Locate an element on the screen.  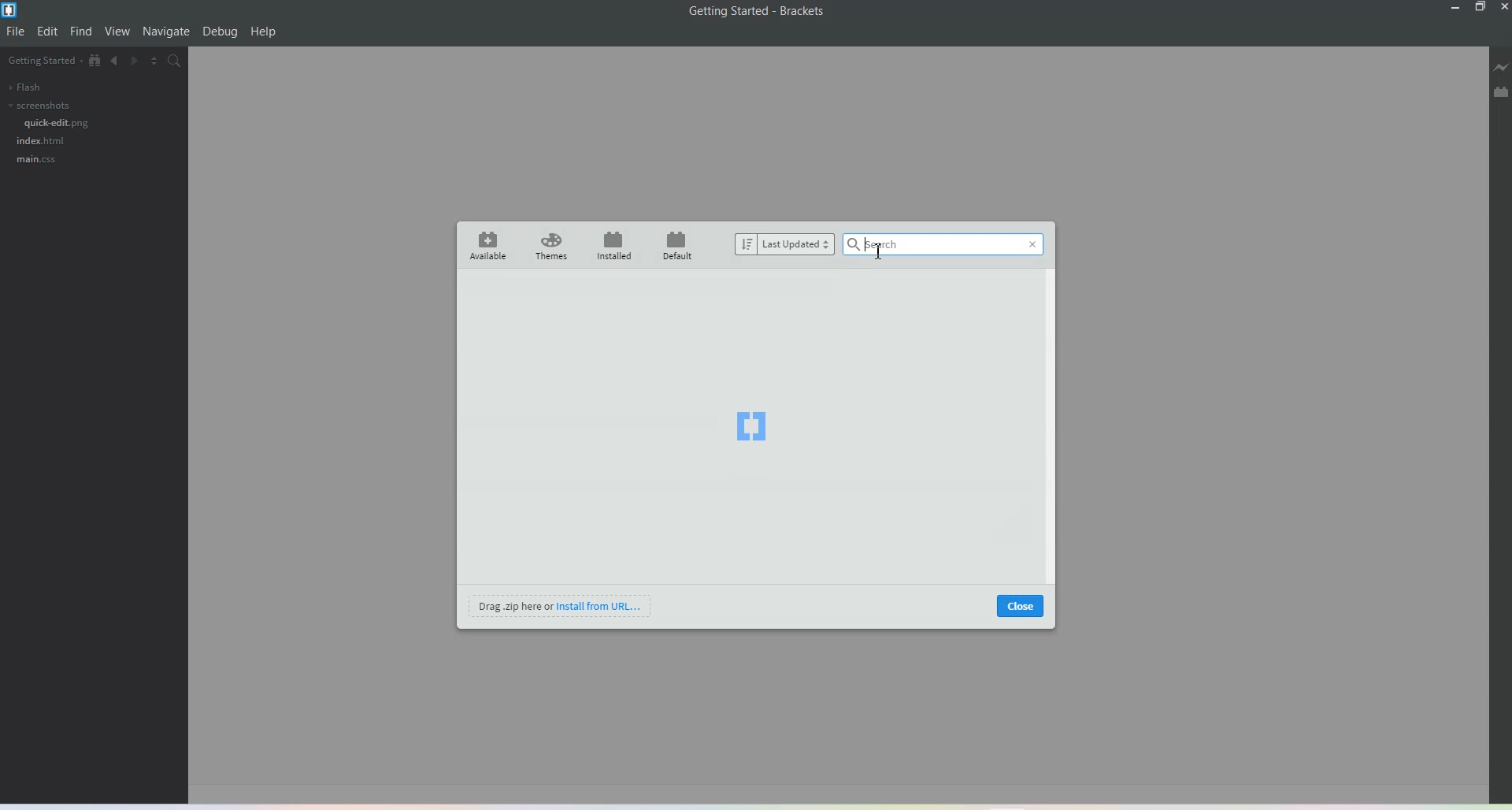
Edit is located at coordinates (48, 32).